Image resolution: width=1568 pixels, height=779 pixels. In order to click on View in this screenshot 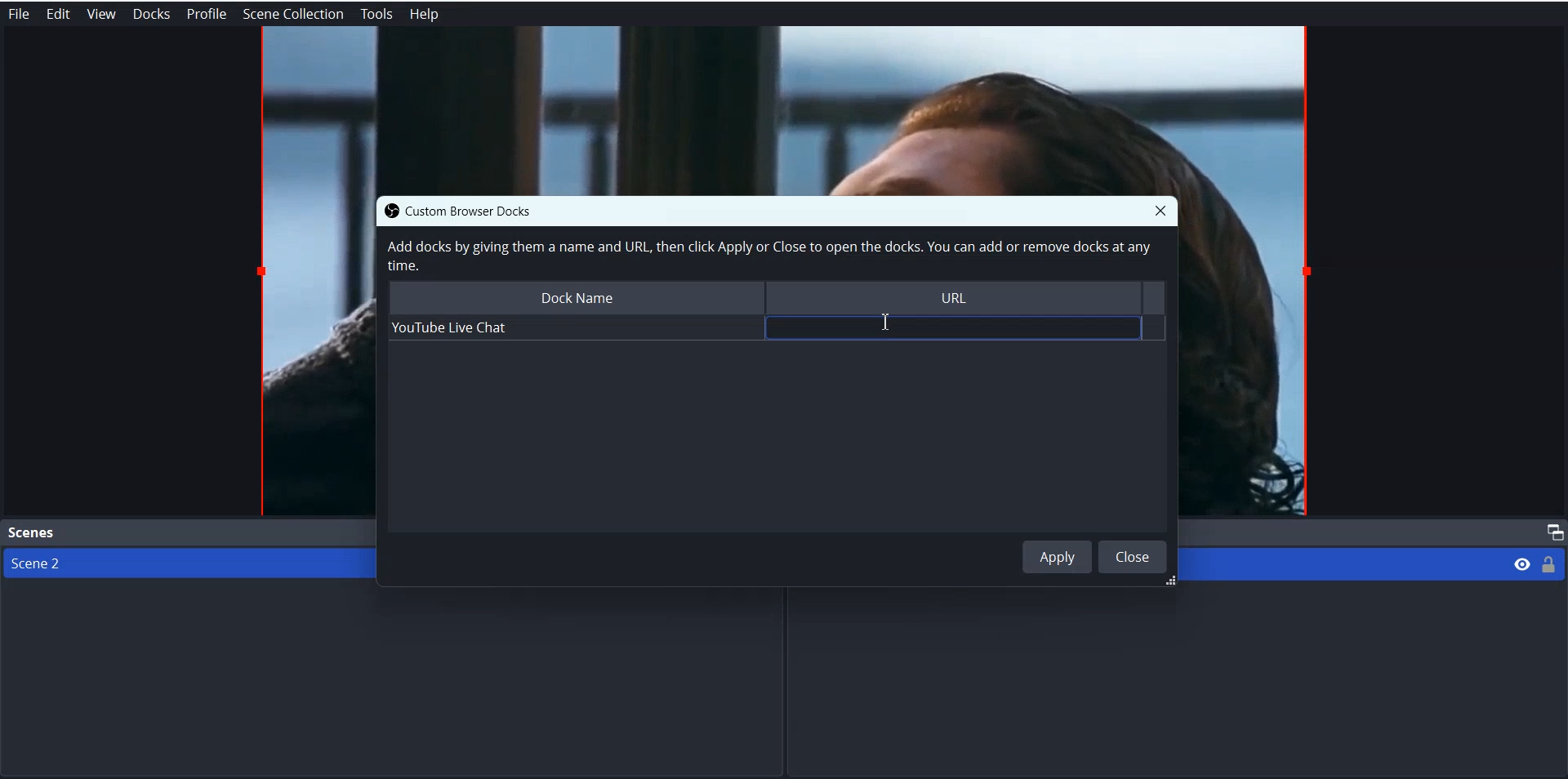, I will do `click(100, 14)`.